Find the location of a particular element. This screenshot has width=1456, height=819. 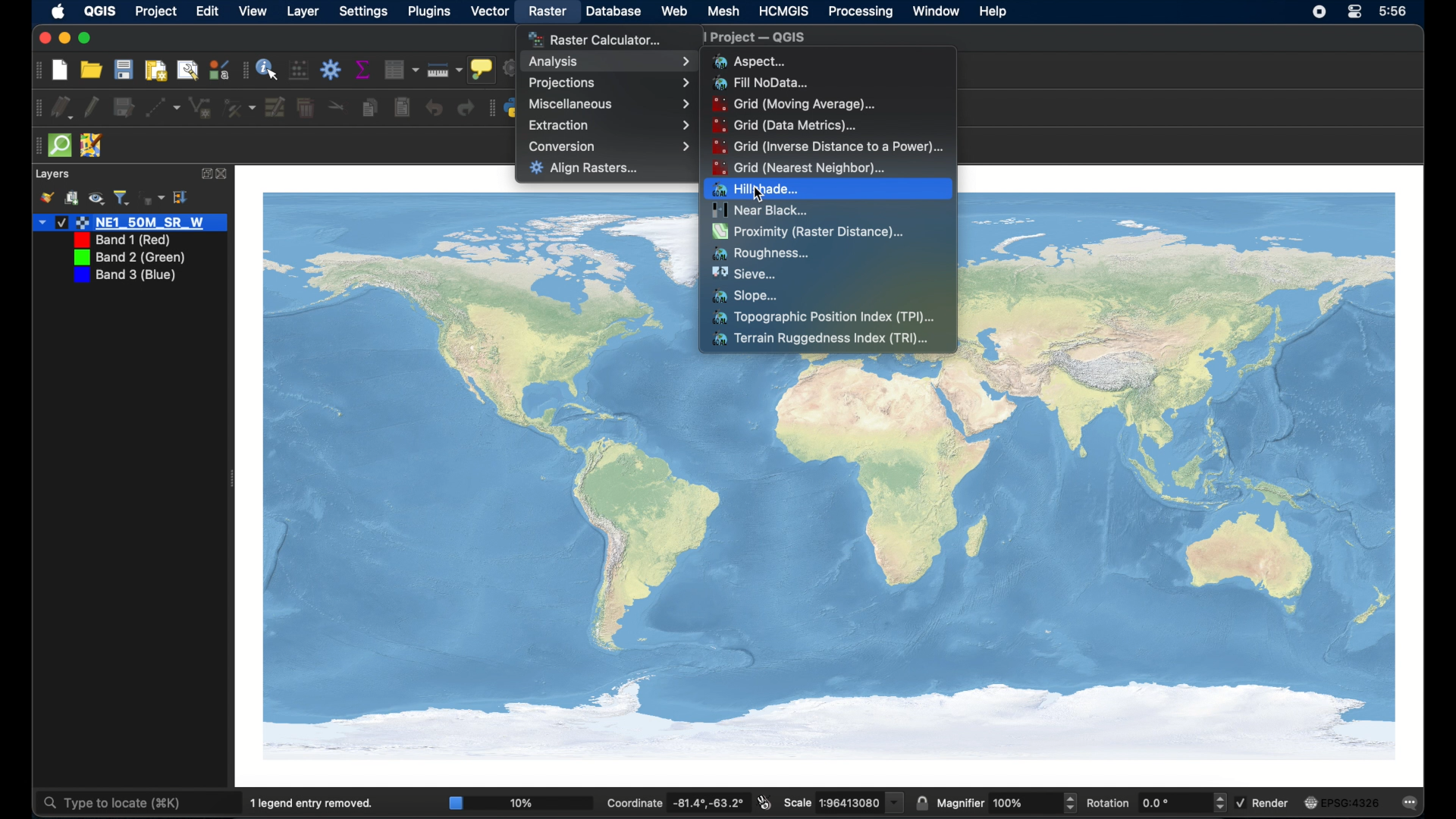

undo is located at coordinates (434, 108).